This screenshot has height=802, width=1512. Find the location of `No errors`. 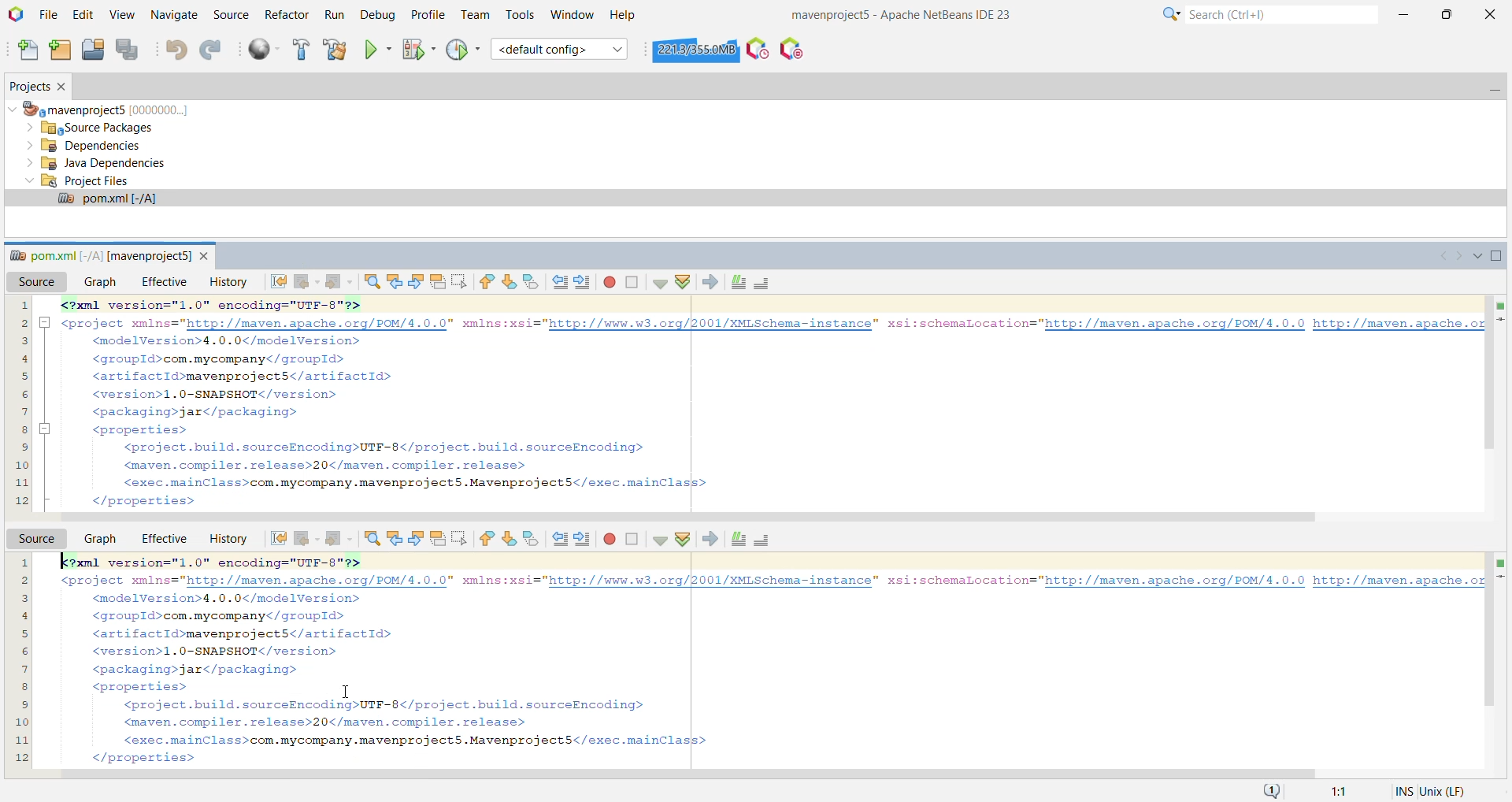

No errors is located at coordinates (1499, 306).